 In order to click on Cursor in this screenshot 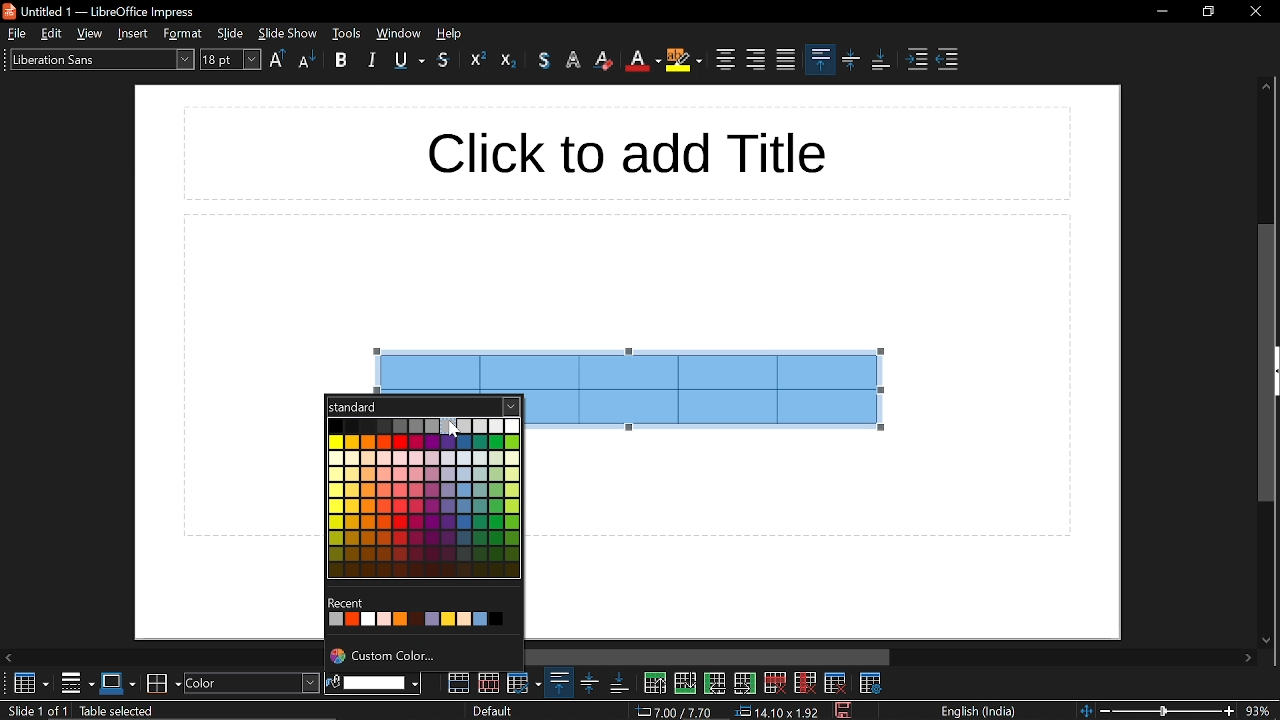, I will do `click(454, 434)`.